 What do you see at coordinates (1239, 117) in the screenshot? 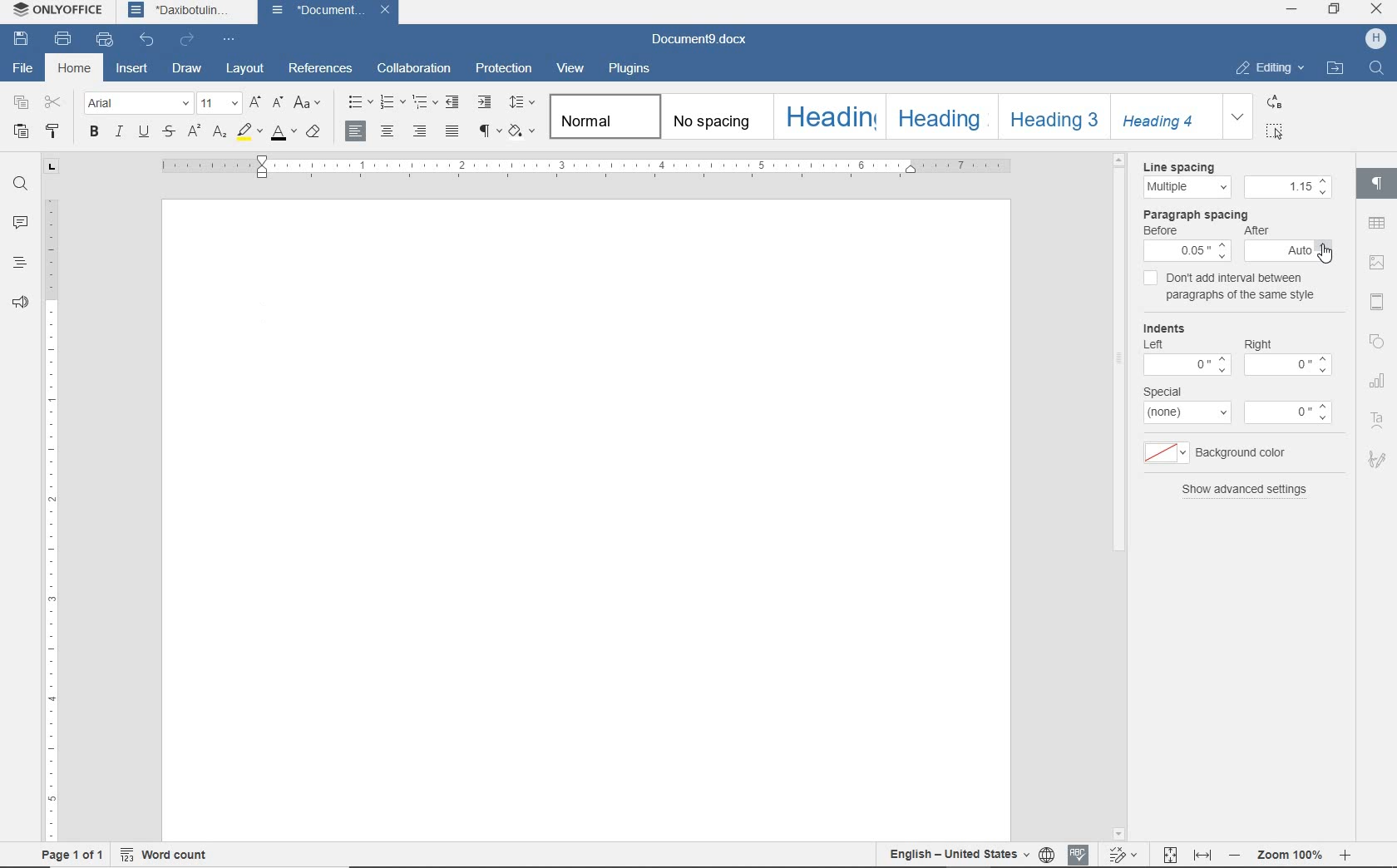
I see `EXPAND` at bounding box center [1239, 117].